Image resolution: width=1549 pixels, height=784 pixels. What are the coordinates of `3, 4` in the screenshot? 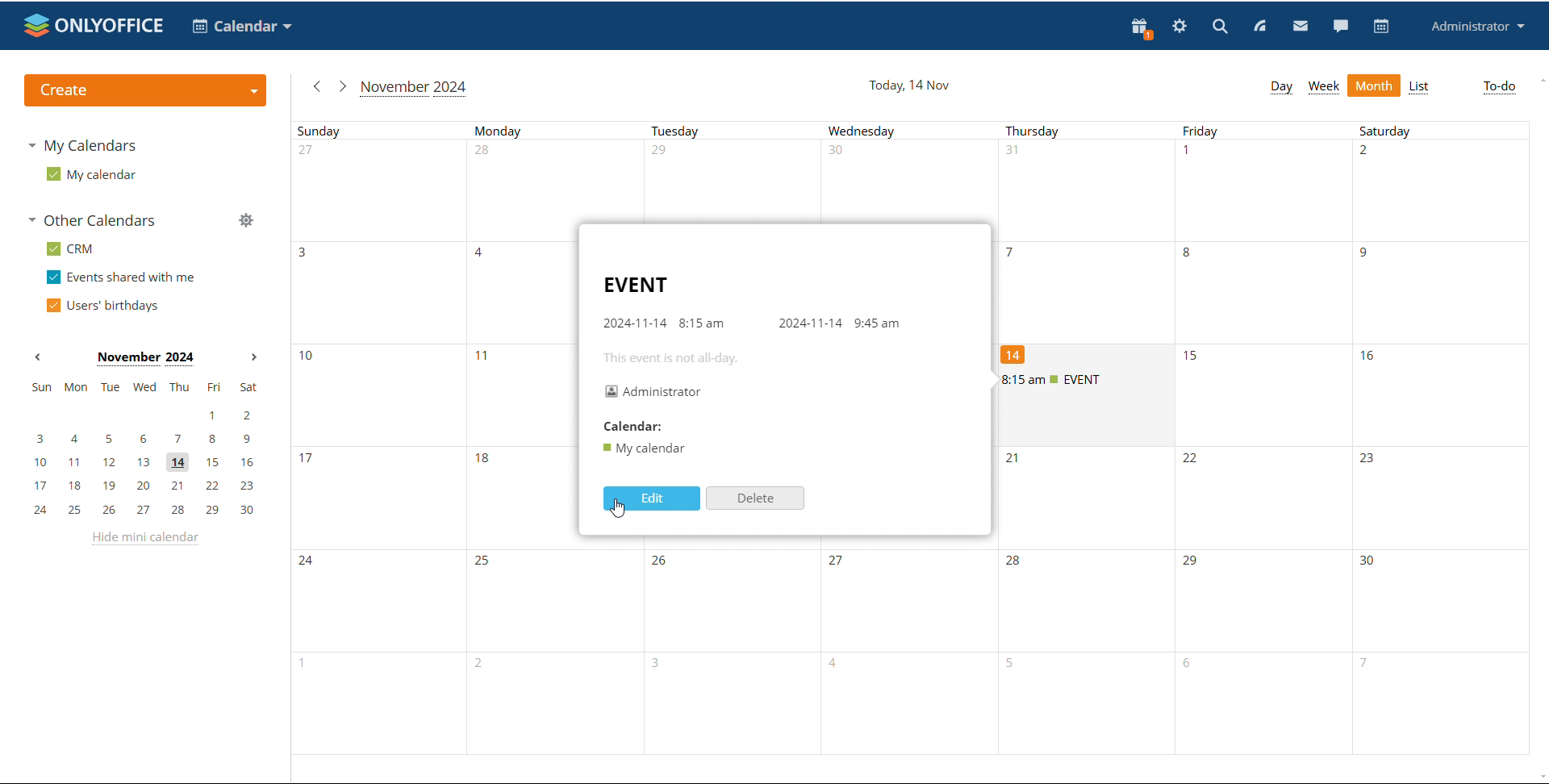 It's located at (426, 290).